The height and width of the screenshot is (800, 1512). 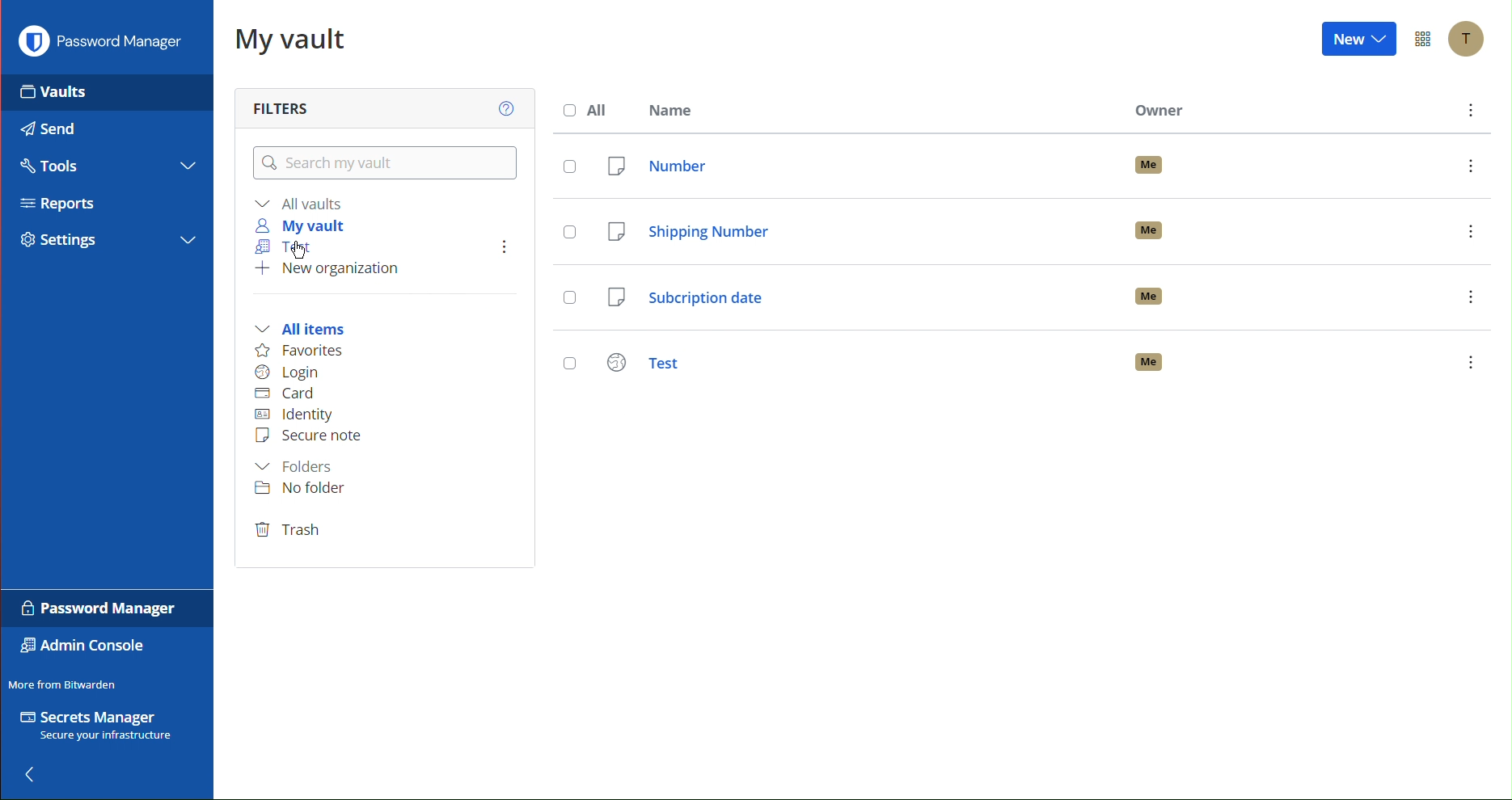 I want to click on Favorites, so click(x=298, y=351).